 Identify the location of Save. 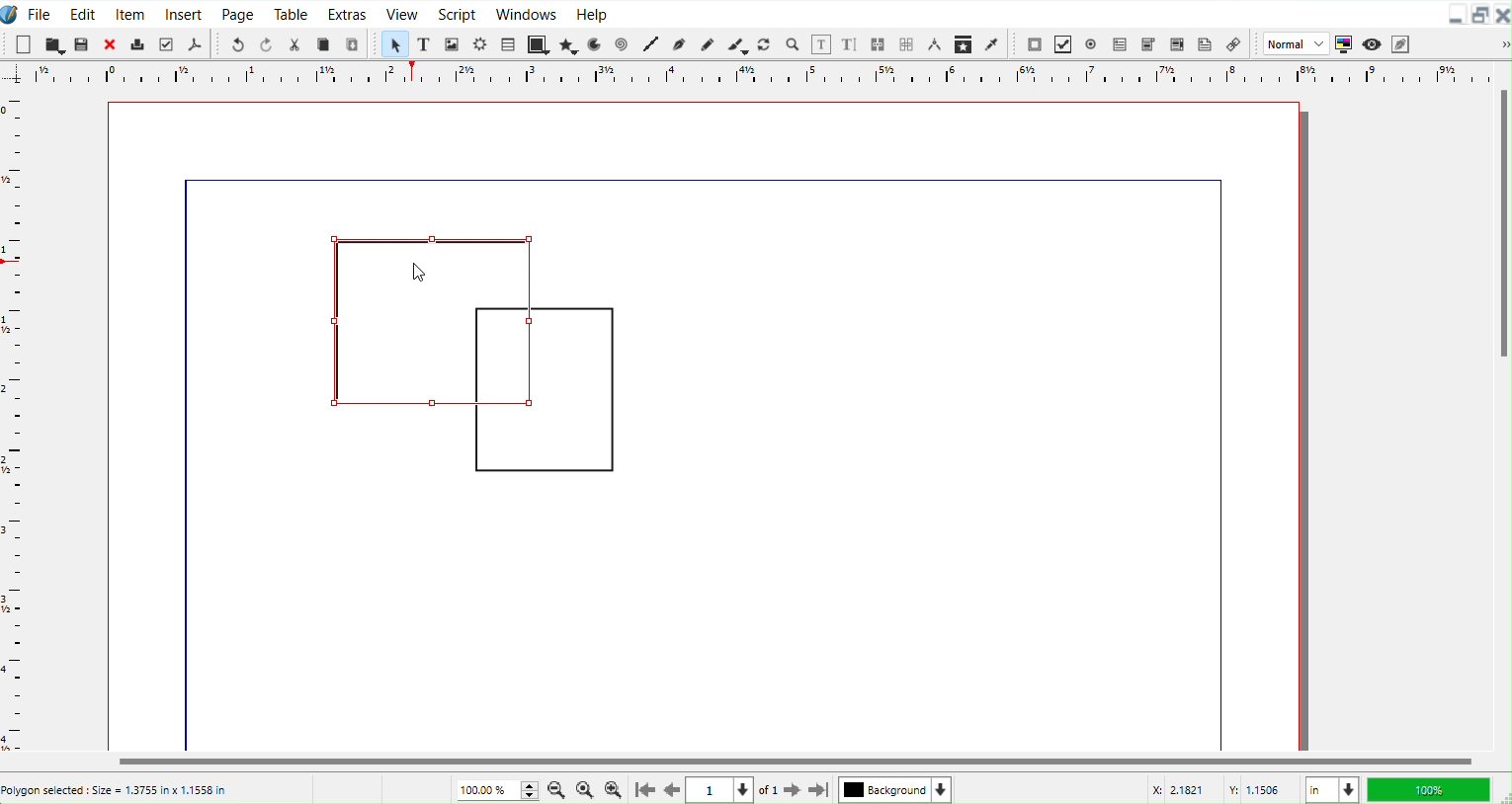
(82, 42).